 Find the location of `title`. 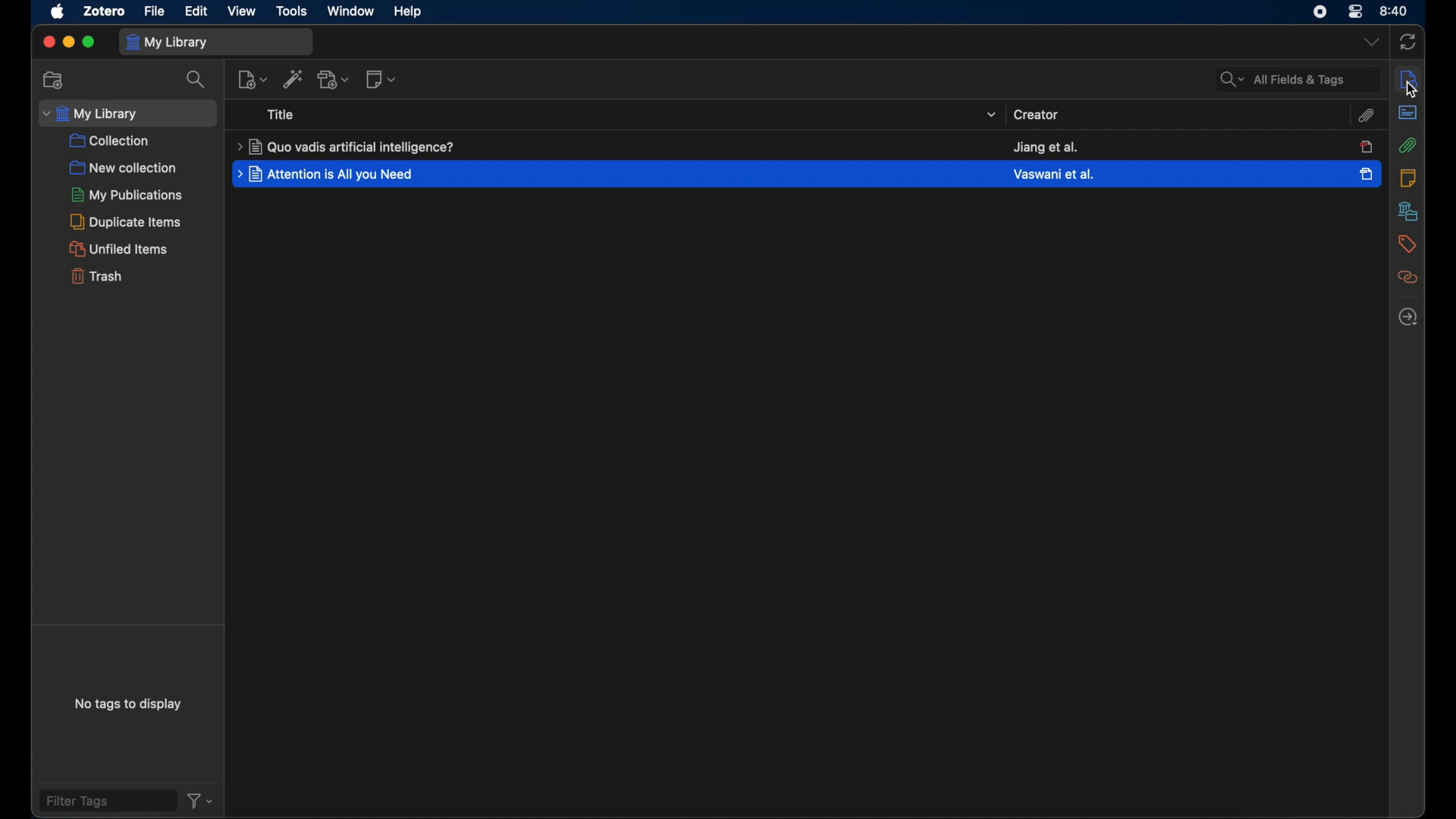

title is located at coordinates (346, 146).